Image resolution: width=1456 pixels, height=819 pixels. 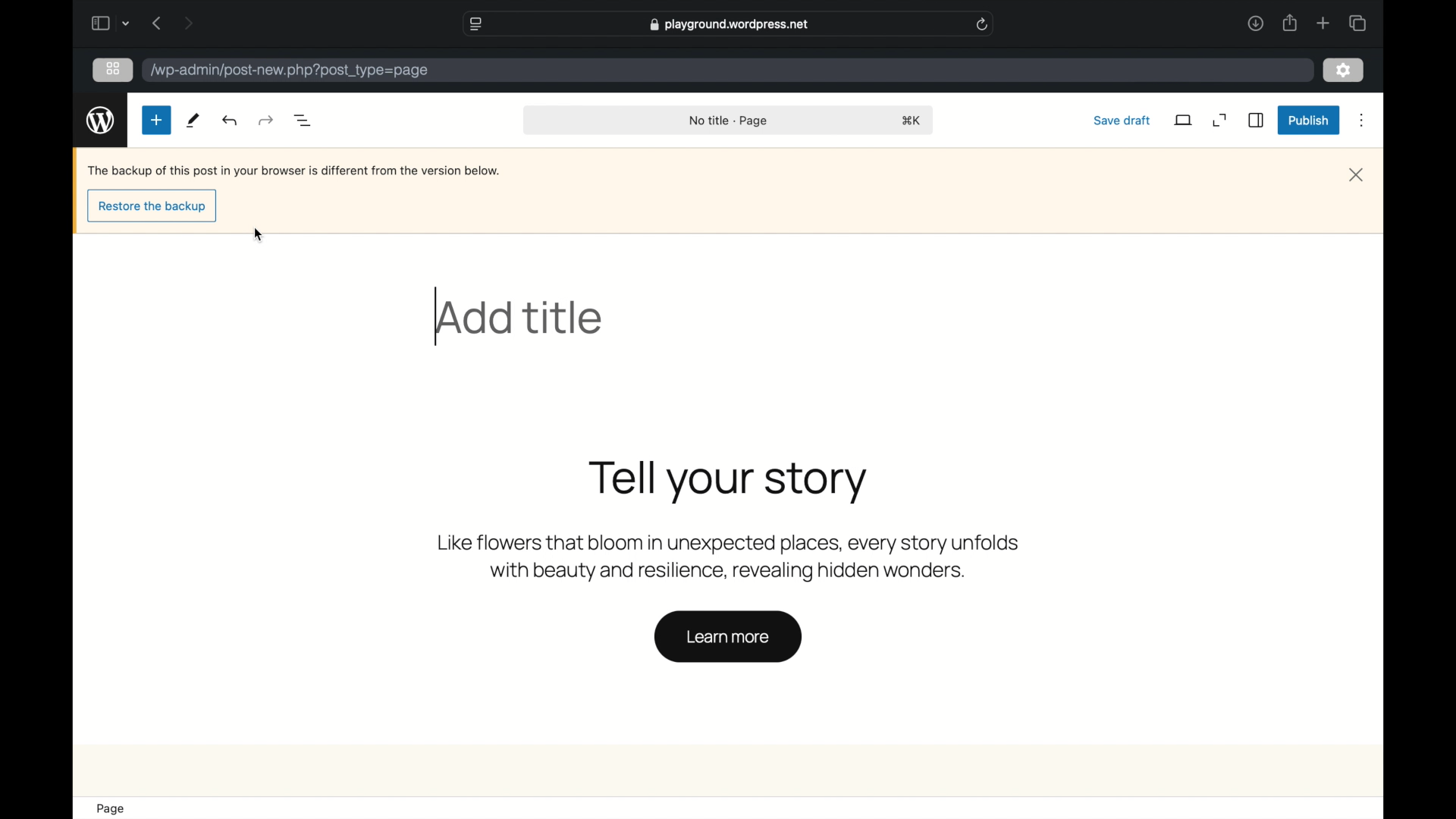 I want to click on new page, so click(x=194, y=121).